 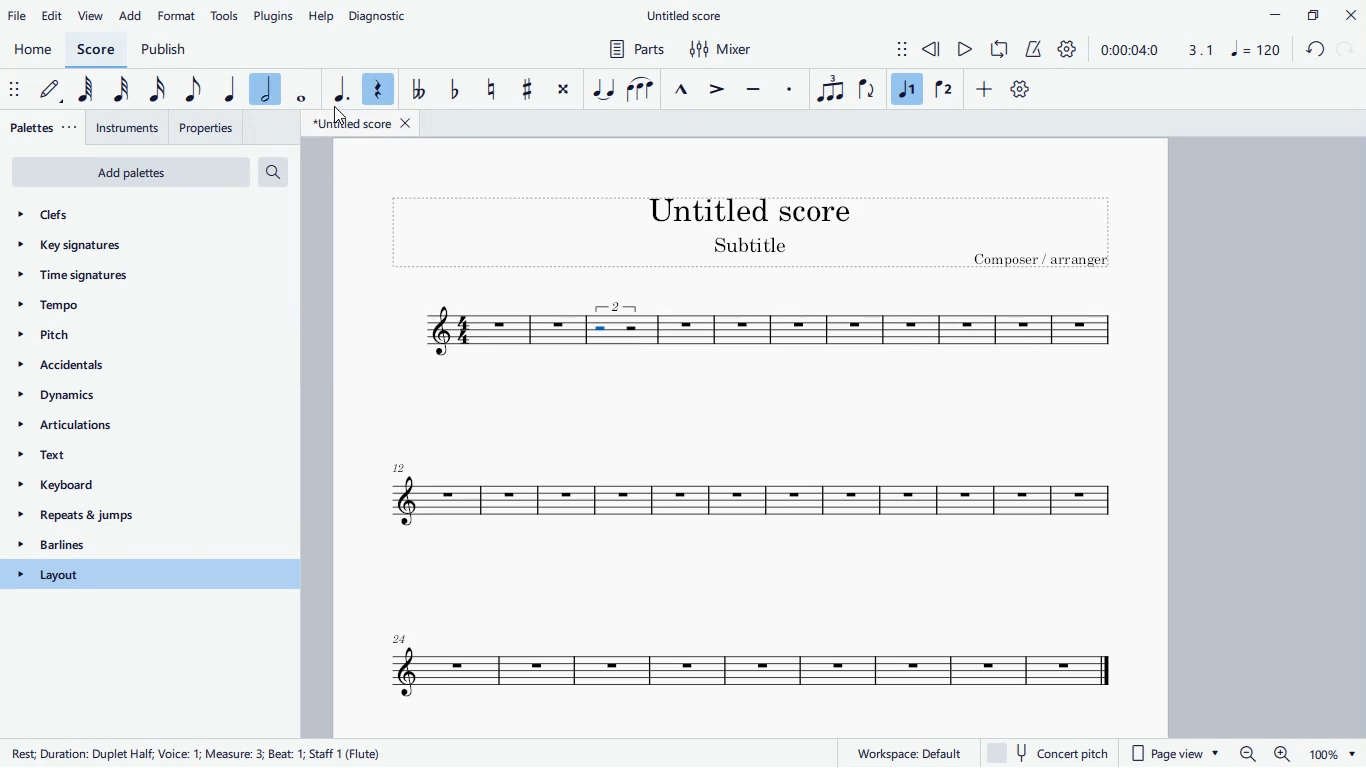 What do you see at coordinates (455, 91) in the screenshot?
I see `toggle flat` at bounding box center [455, 91].